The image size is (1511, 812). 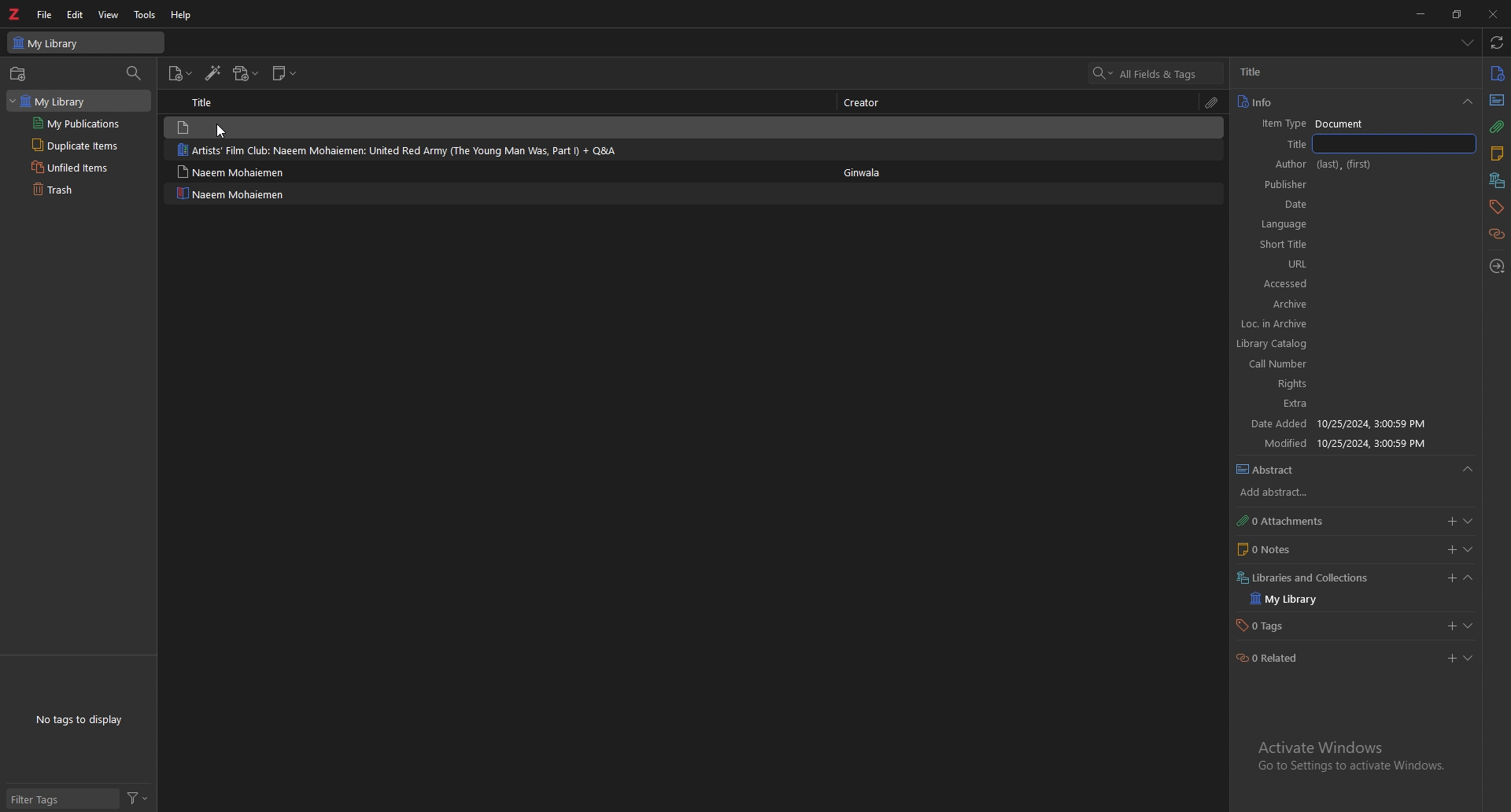 I want to click on place, so click(x=1279, y=304).